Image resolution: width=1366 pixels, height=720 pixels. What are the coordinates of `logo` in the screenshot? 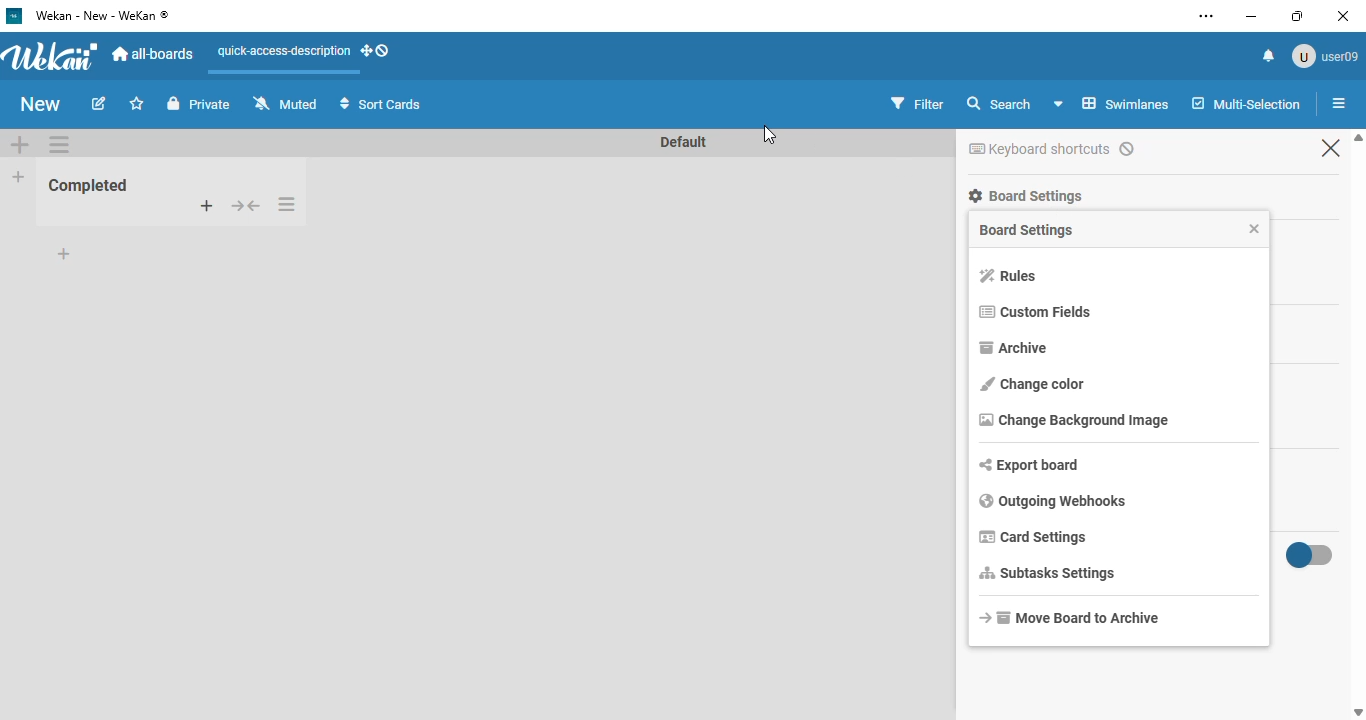 It's located at (14, 16).